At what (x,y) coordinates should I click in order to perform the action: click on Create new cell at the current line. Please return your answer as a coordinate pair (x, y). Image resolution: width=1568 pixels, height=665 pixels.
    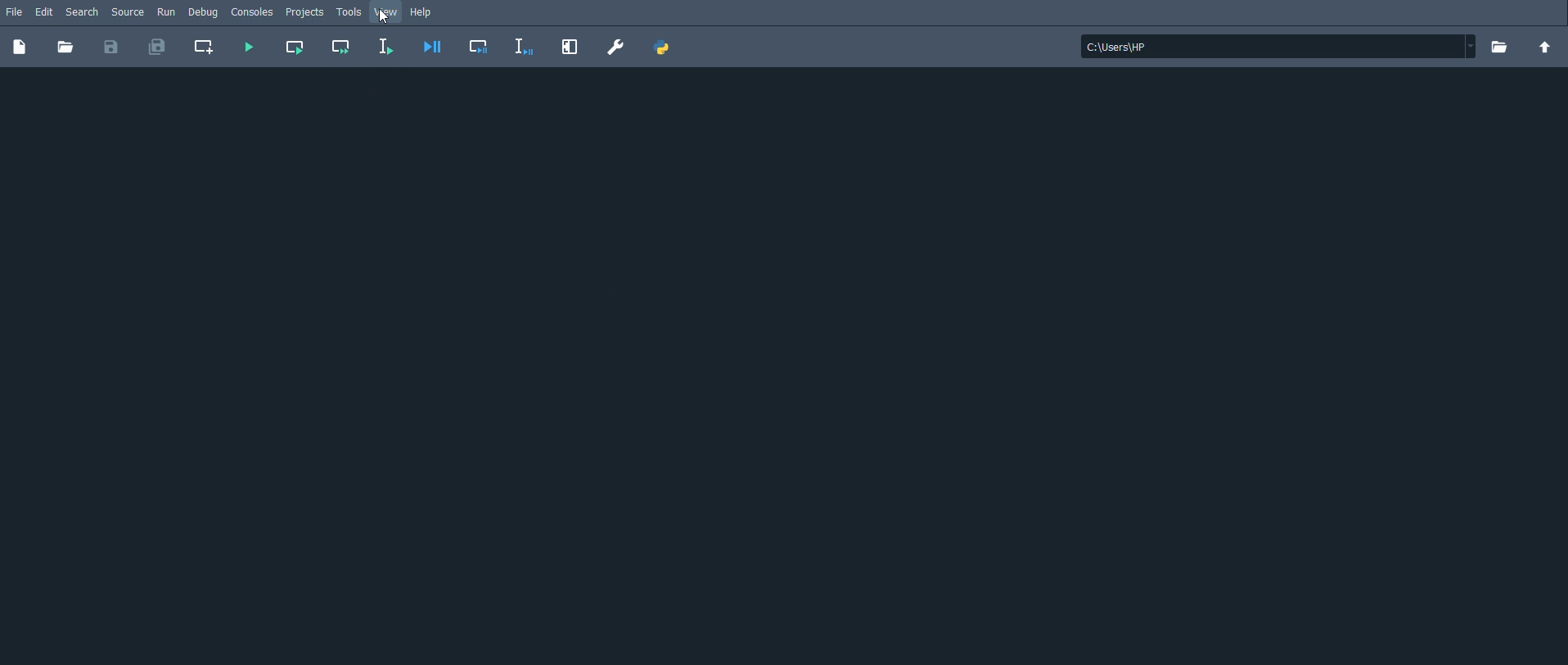
    Looking at the image, I should click on (205, 46).